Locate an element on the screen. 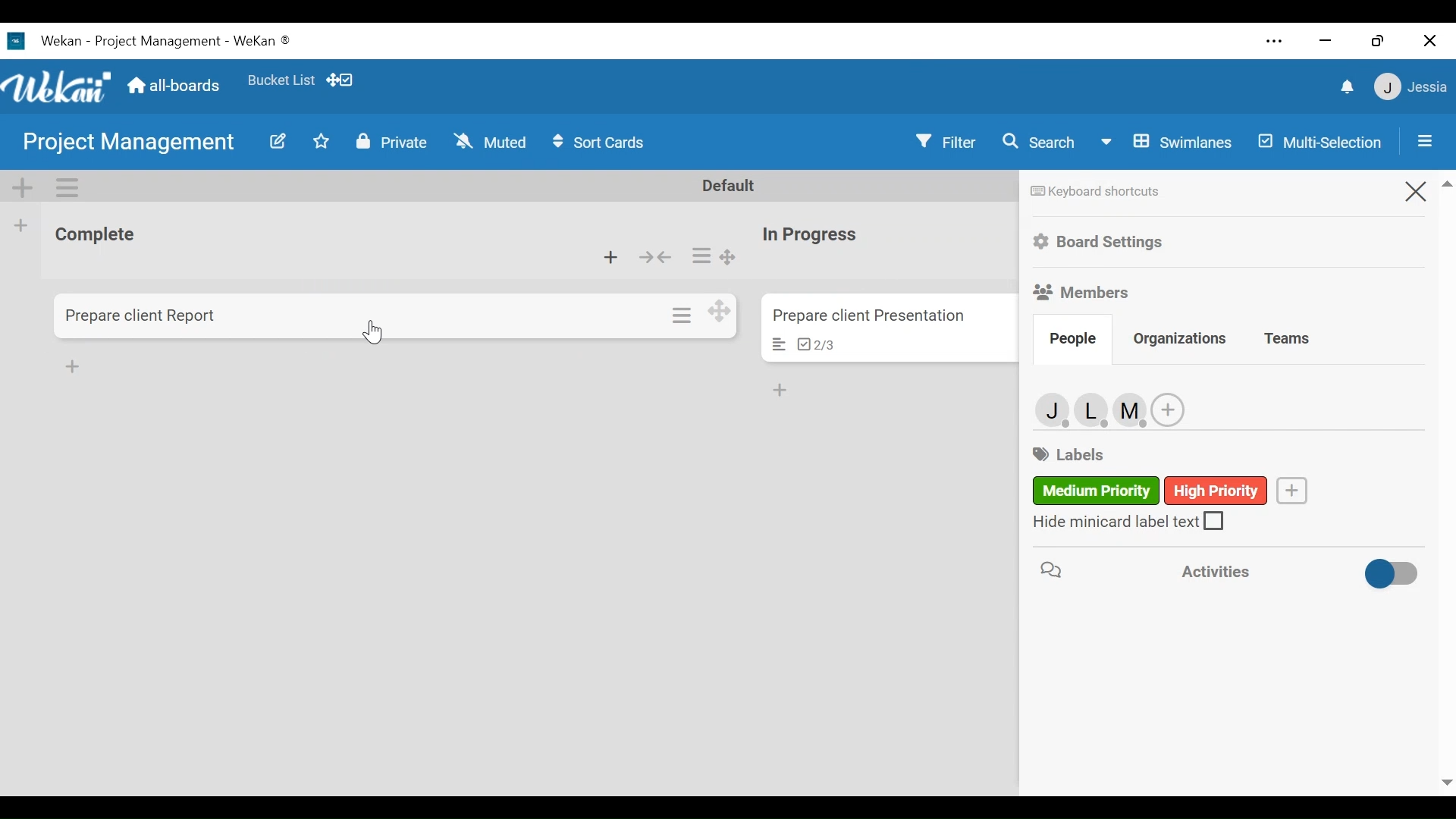 This screenshot has height=819, width=1456. Member is located at coordinates (1410, 89).